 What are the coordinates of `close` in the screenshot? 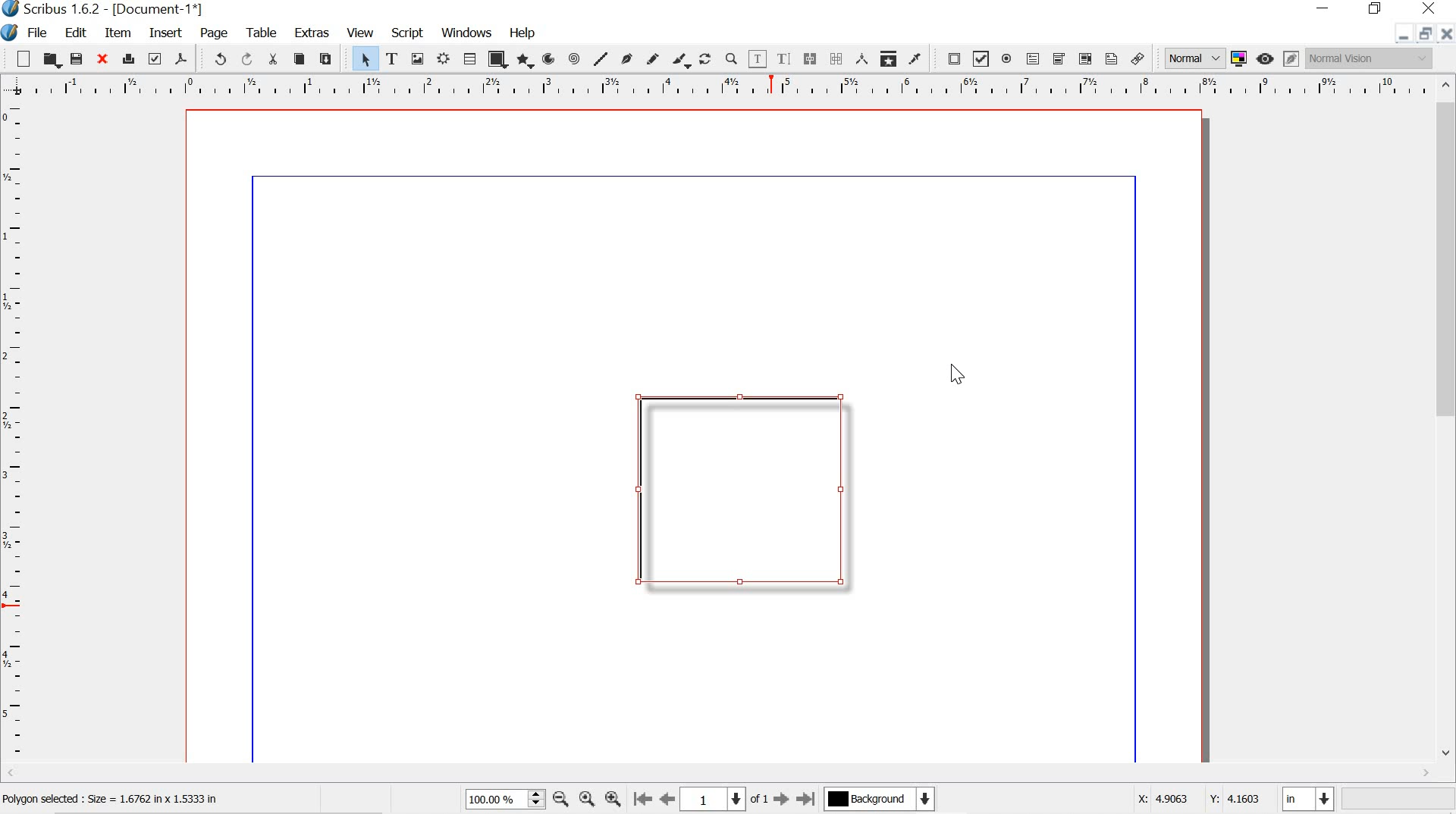 It's located at (101, 58).